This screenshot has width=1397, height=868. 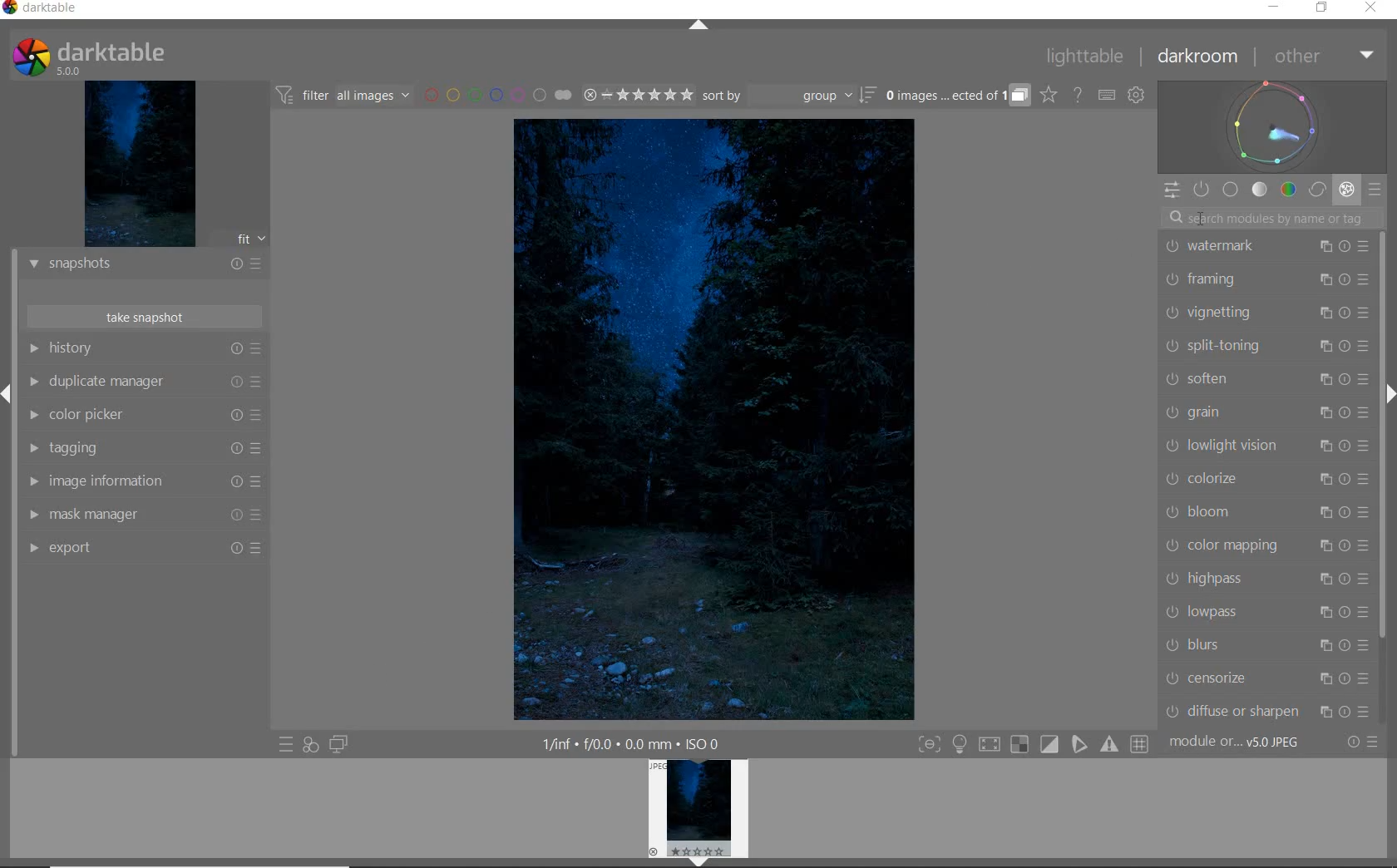 What do you see at coordinates (146, 318) in the screenshot?
I see `TAKE SNAPSHOT` at bounding box center [146, 318].